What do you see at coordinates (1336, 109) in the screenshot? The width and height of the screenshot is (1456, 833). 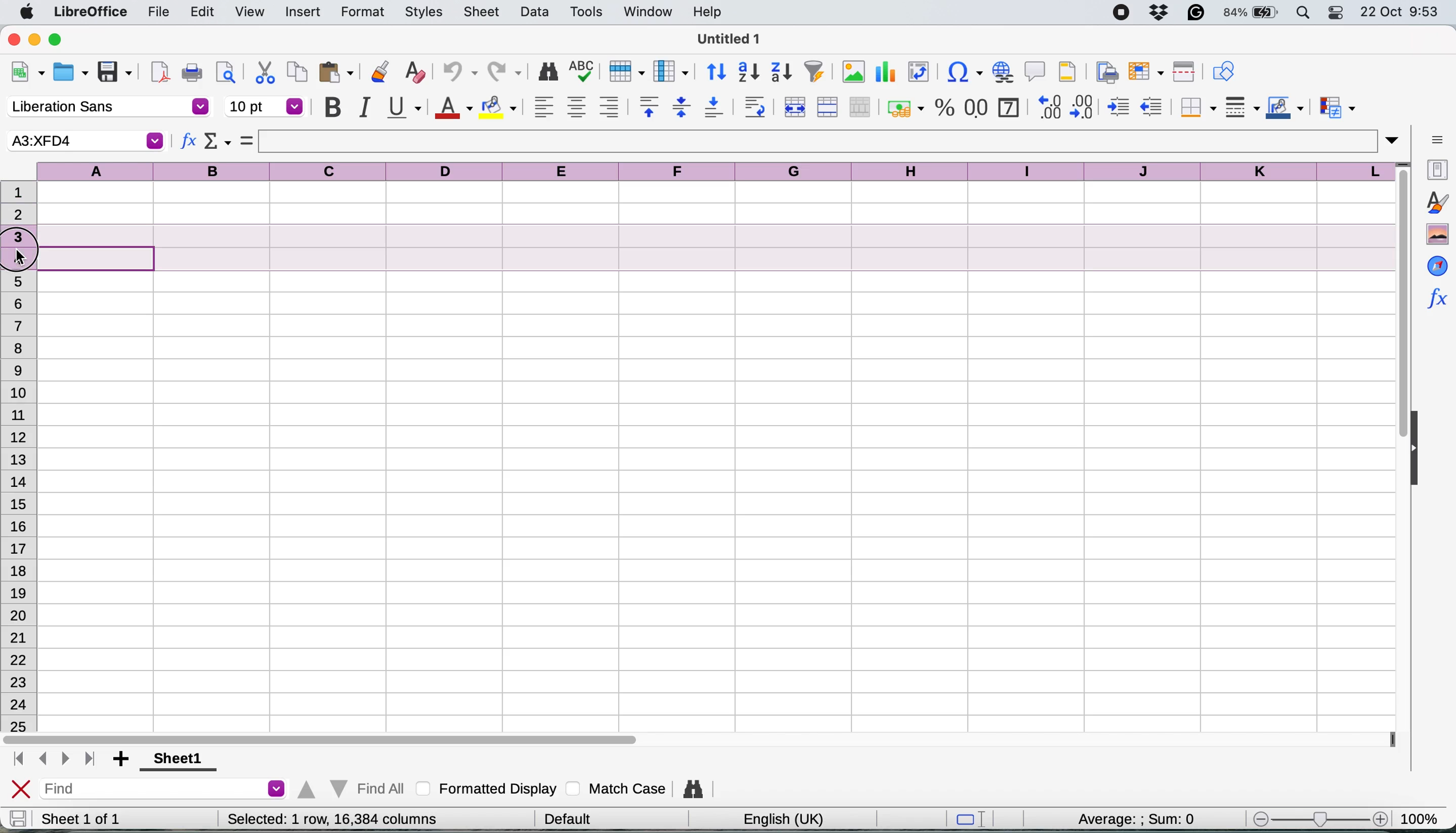 I see `conditional` at bounding box center [1336, 109].